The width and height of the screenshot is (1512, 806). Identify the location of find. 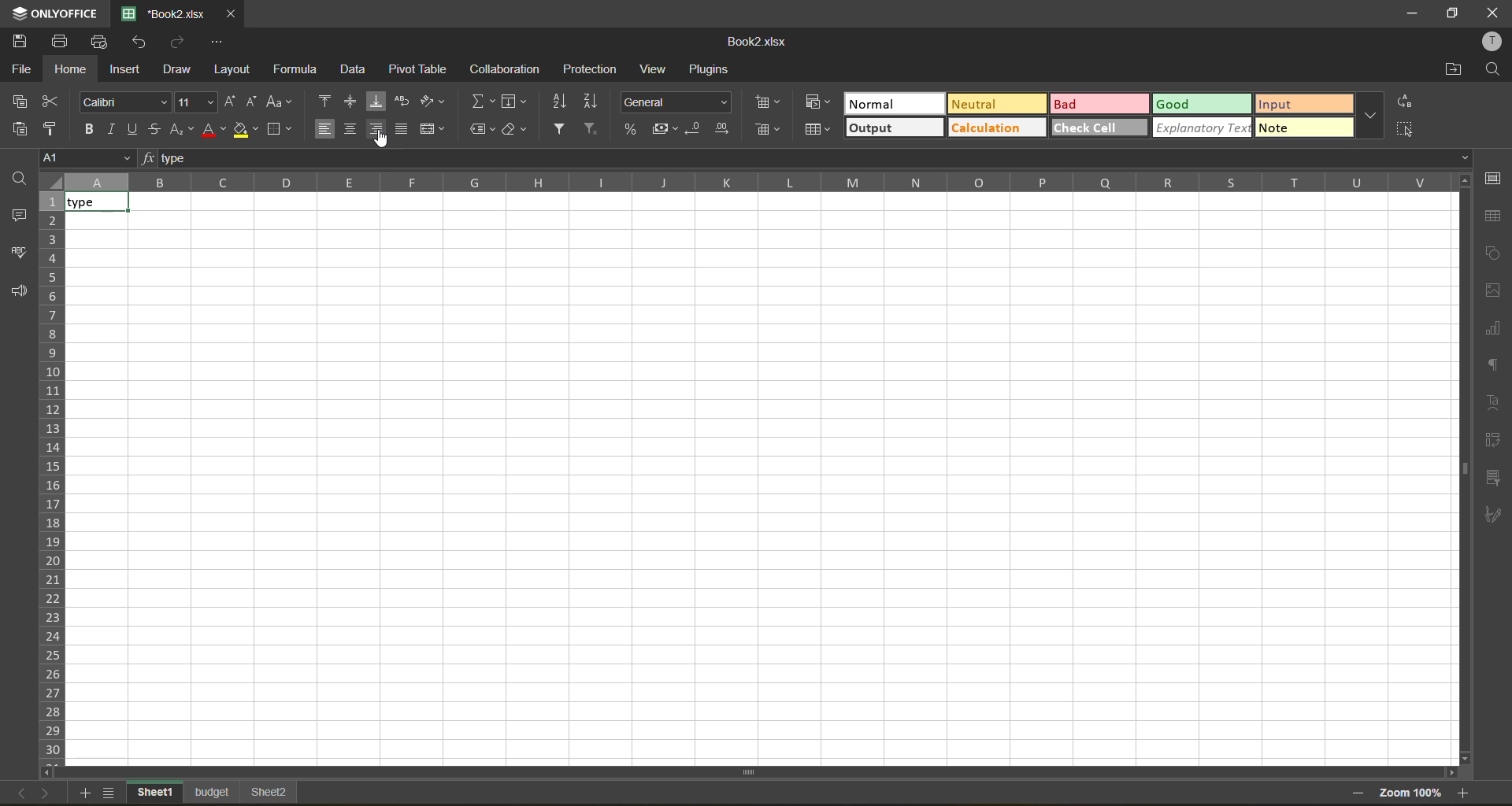
(24, 177).